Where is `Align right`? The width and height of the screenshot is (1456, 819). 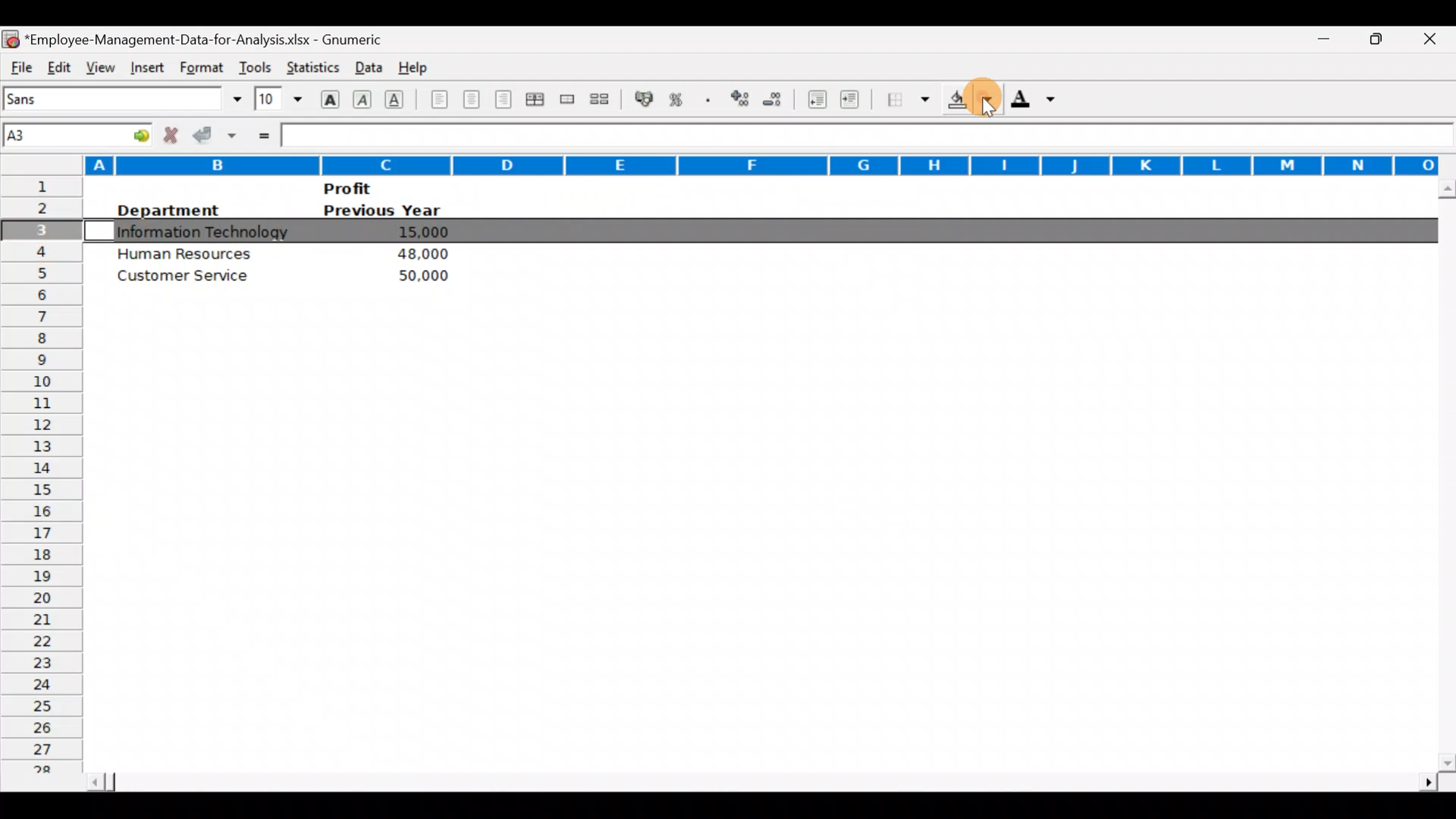 Align right is located at coordinates (506, 99).